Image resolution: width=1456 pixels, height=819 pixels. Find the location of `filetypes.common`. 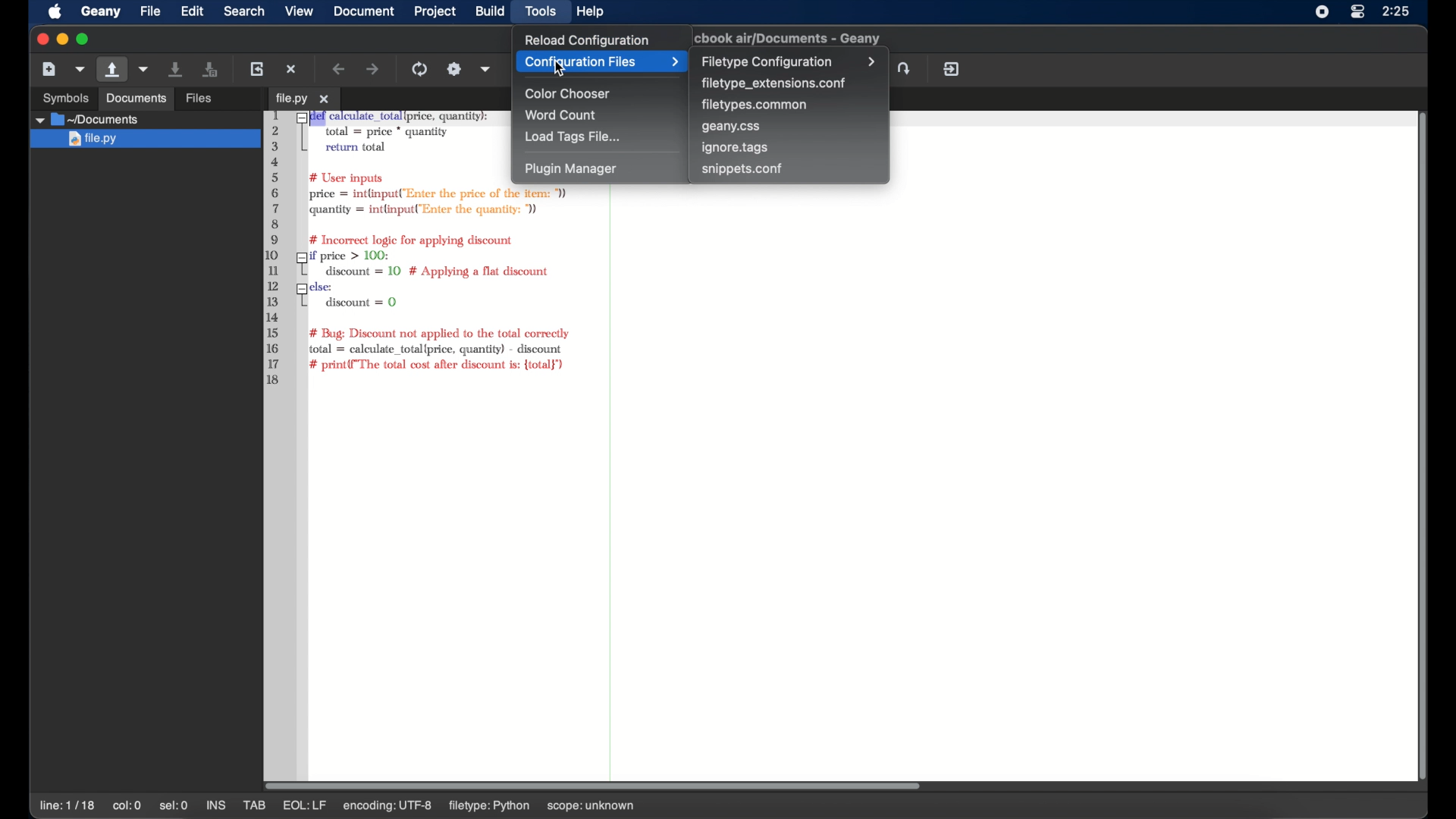

filetypes.common is located at coordinates (756, 104).